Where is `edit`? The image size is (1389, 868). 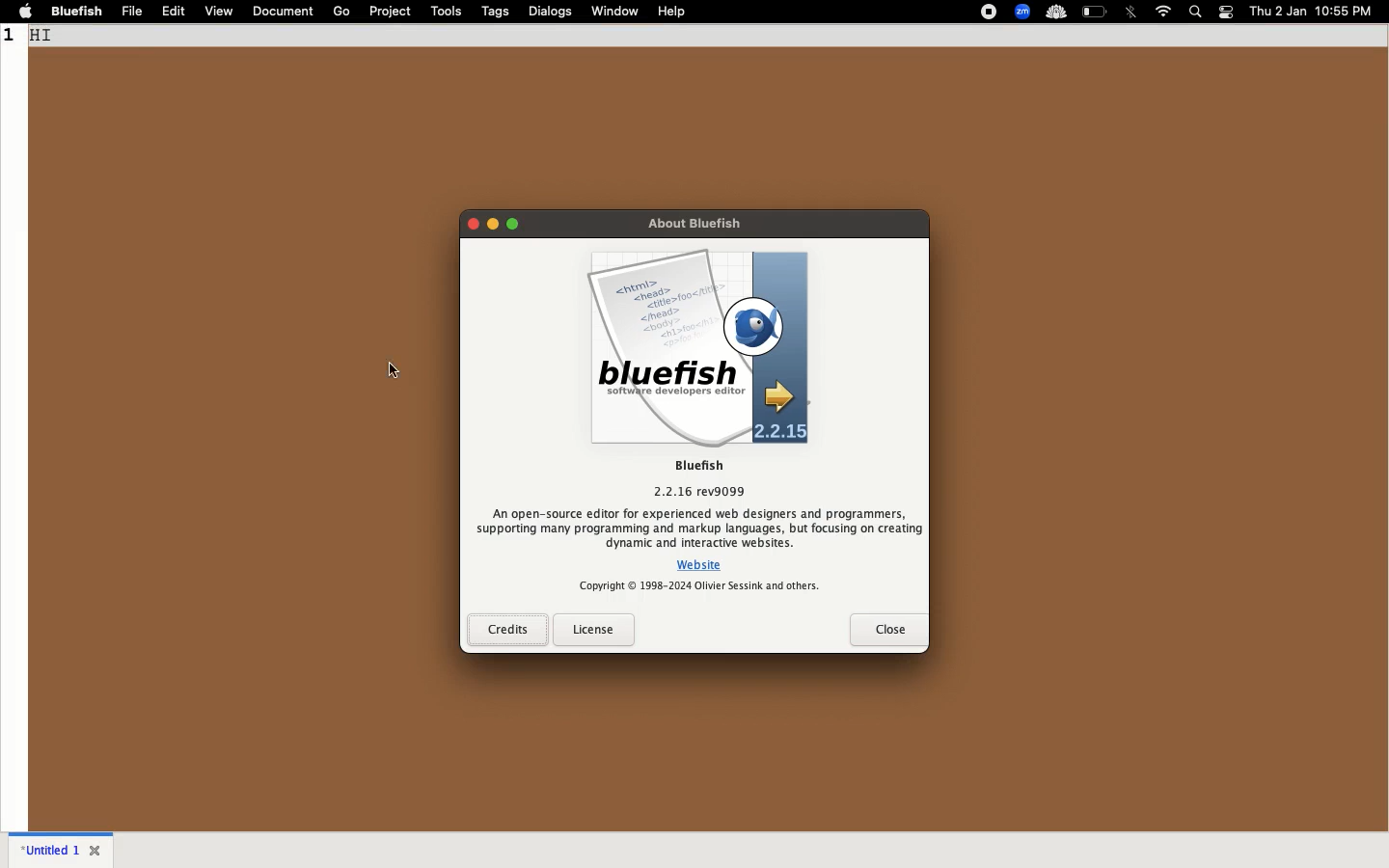
edit is located at coordinates (175, 12).